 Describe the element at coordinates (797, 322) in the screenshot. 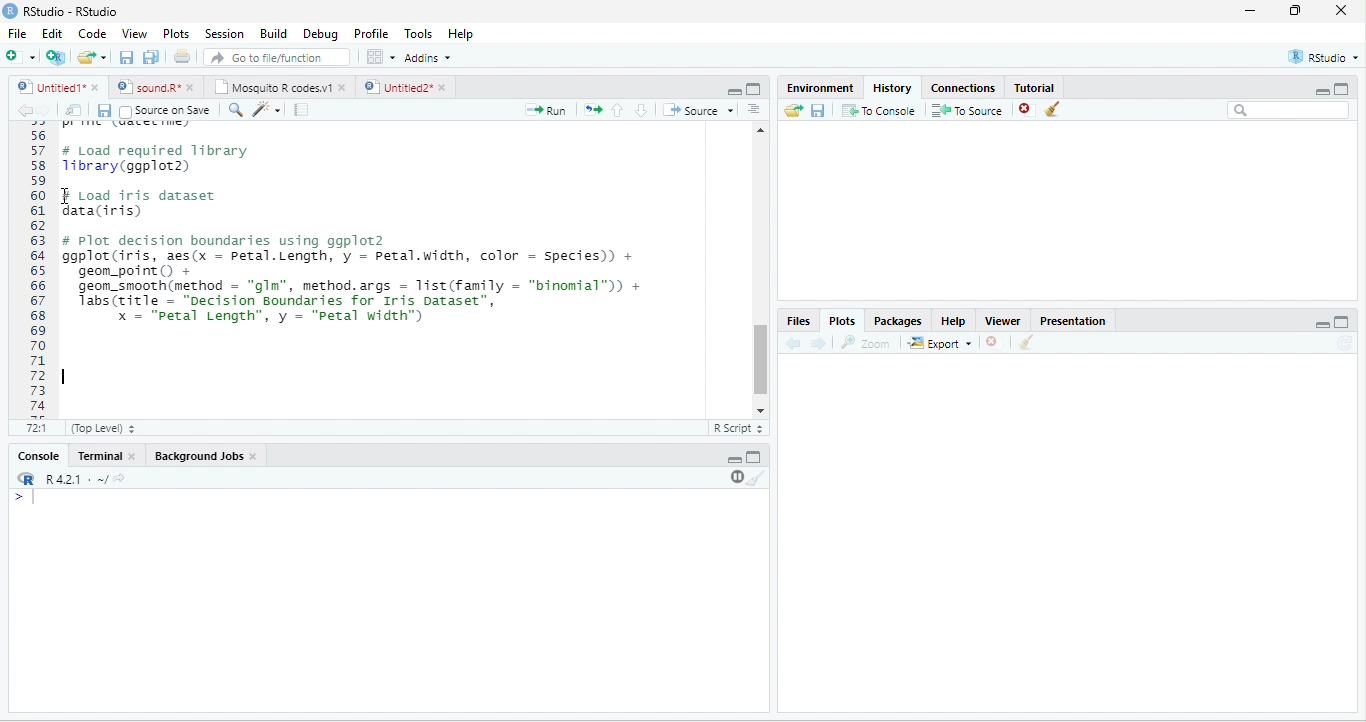

I see `Files` at that location.